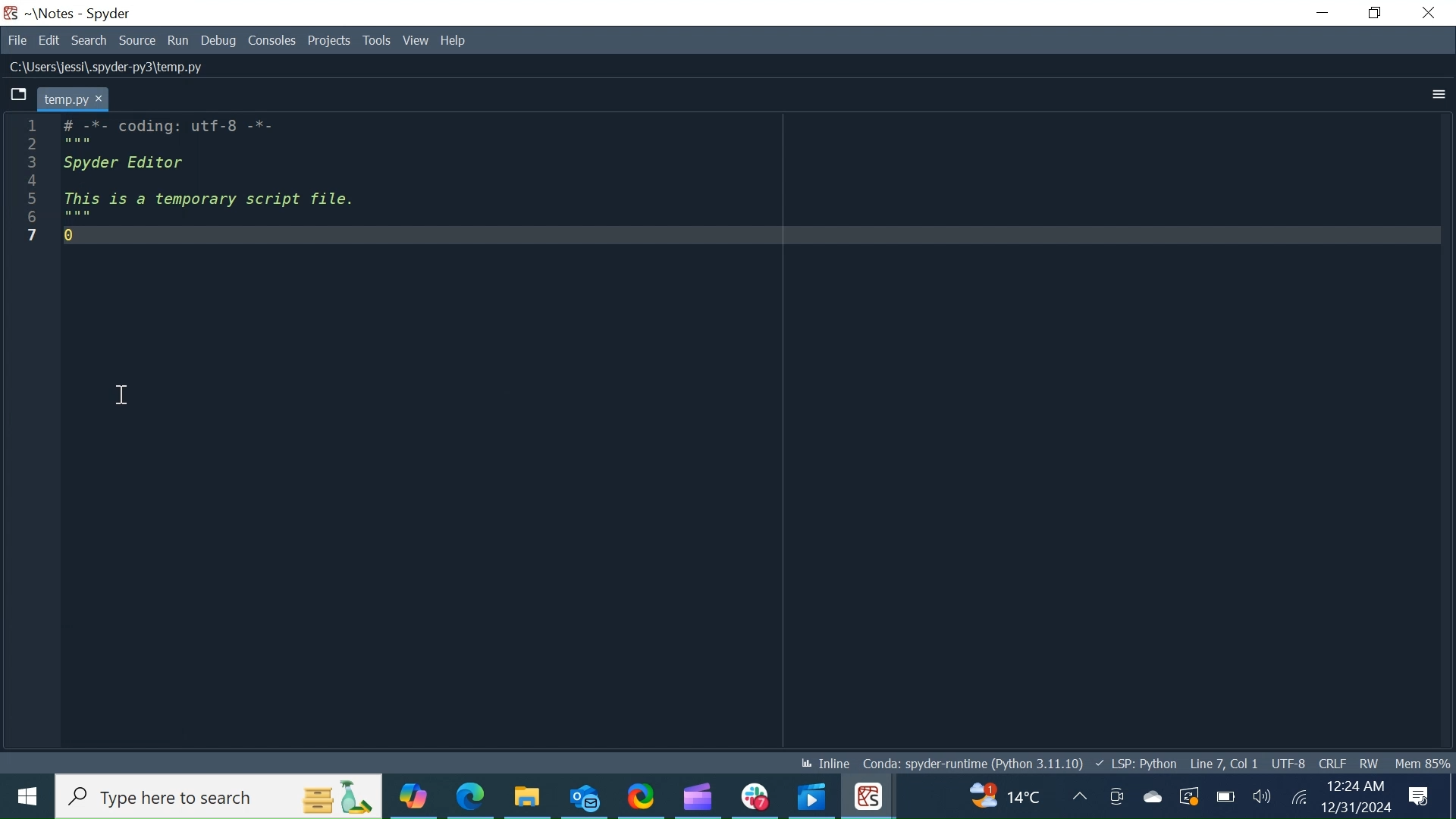 The height and width of the screenshot is (819, 1456). Describe the element at coordinates (91, 41) in the screenshot. I see `Search` at that location.